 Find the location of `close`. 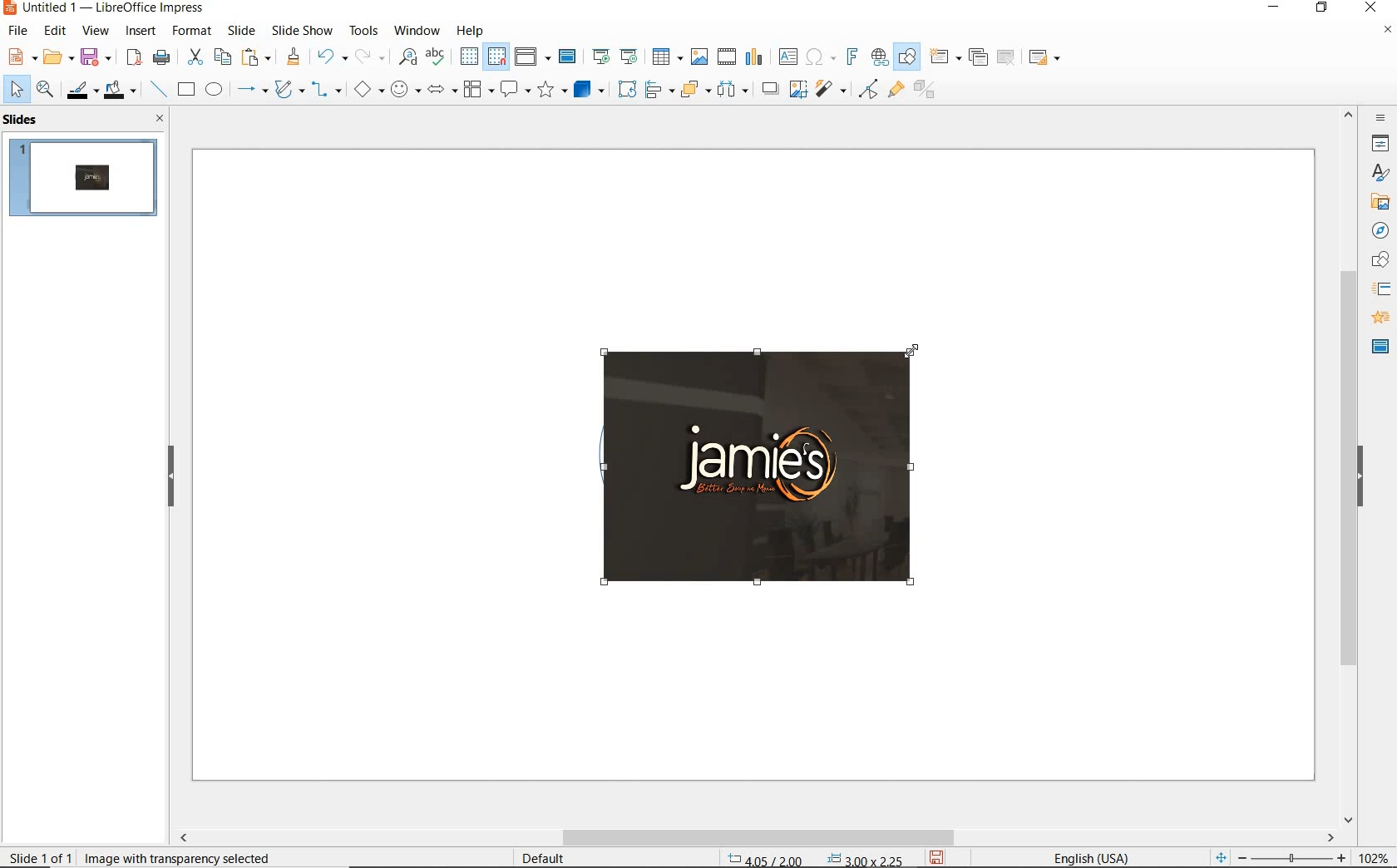

close is located at coordinates (155, 118).